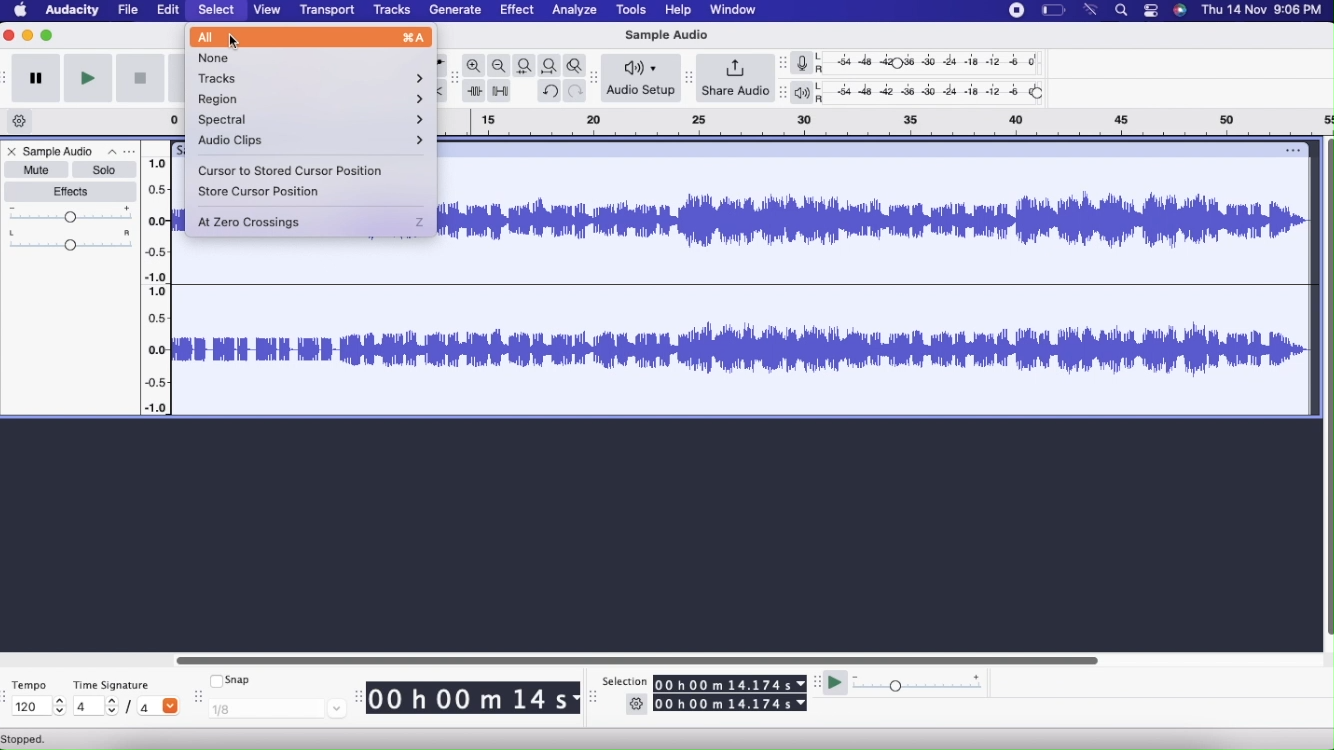 The height and width of the screenshot is (750, 1334). I want to click on Search , so click(1125, 11).